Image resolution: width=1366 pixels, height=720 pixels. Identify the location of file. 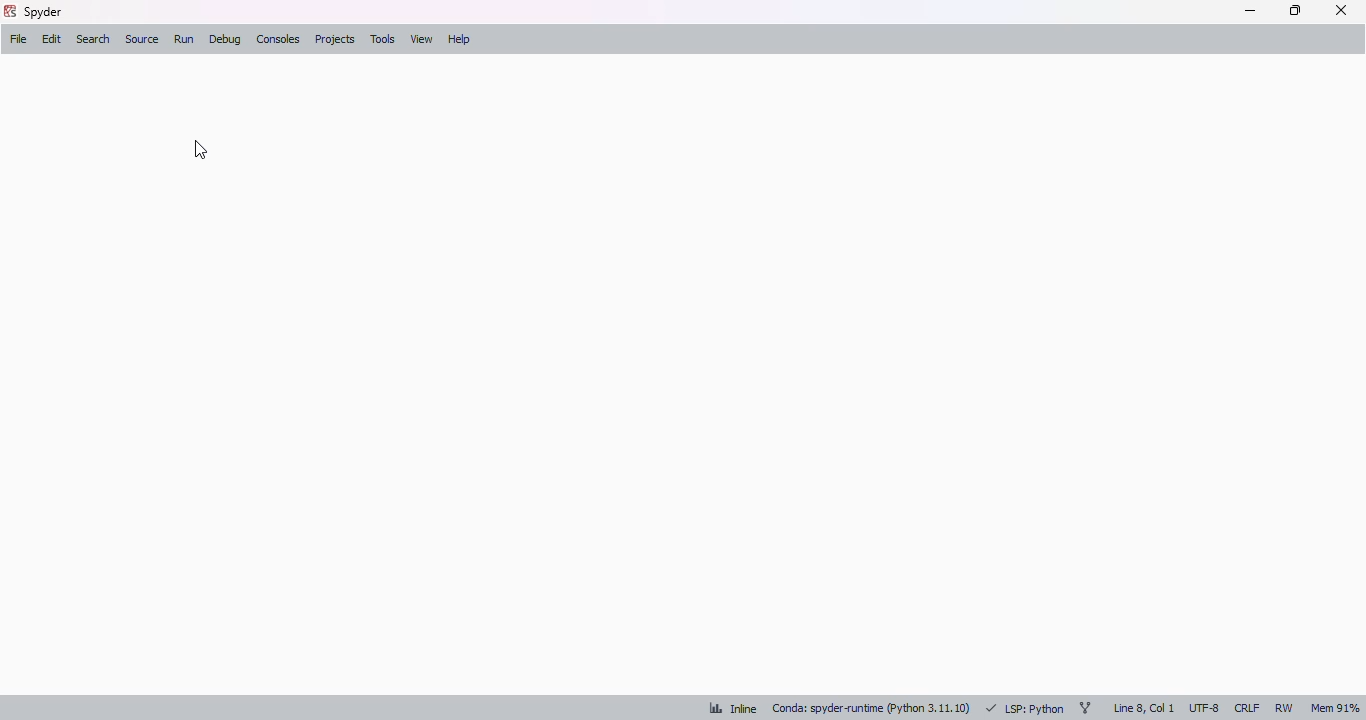
(18, 38).